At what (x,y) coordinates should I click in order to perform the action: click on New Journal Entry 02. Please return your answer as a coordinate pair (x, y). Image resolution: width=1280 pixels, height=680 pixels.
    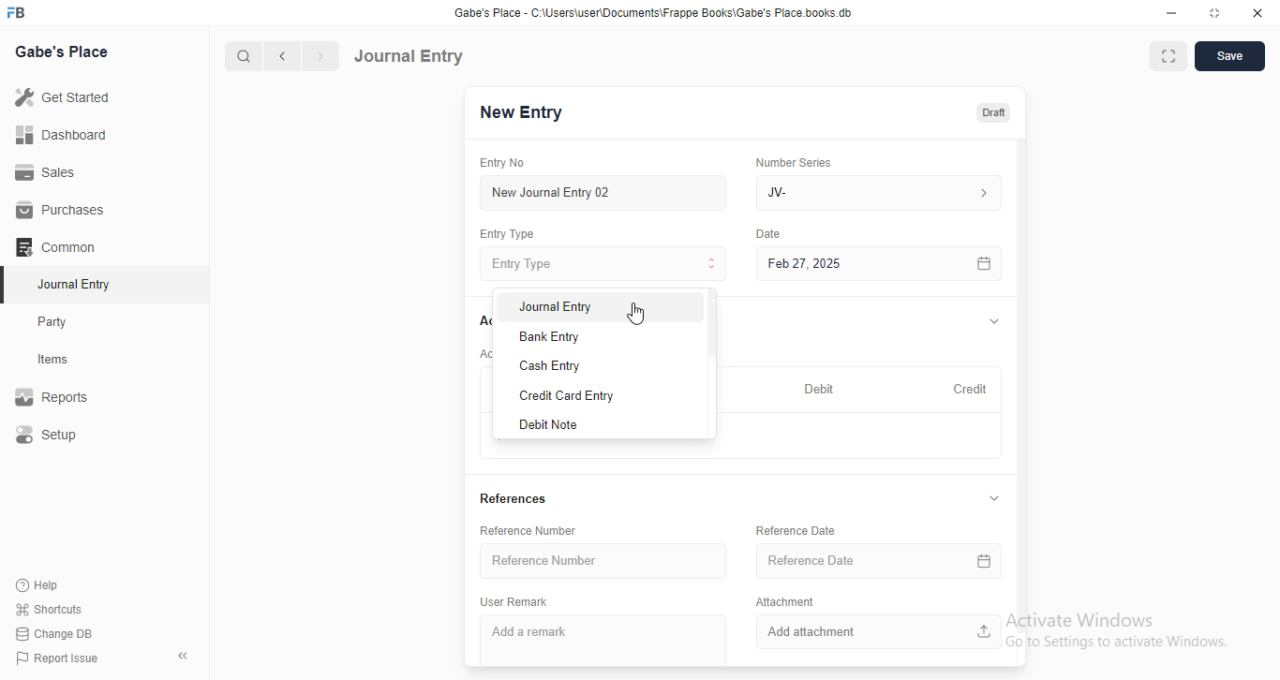
    Looking at the image, I should click on (605, 193).